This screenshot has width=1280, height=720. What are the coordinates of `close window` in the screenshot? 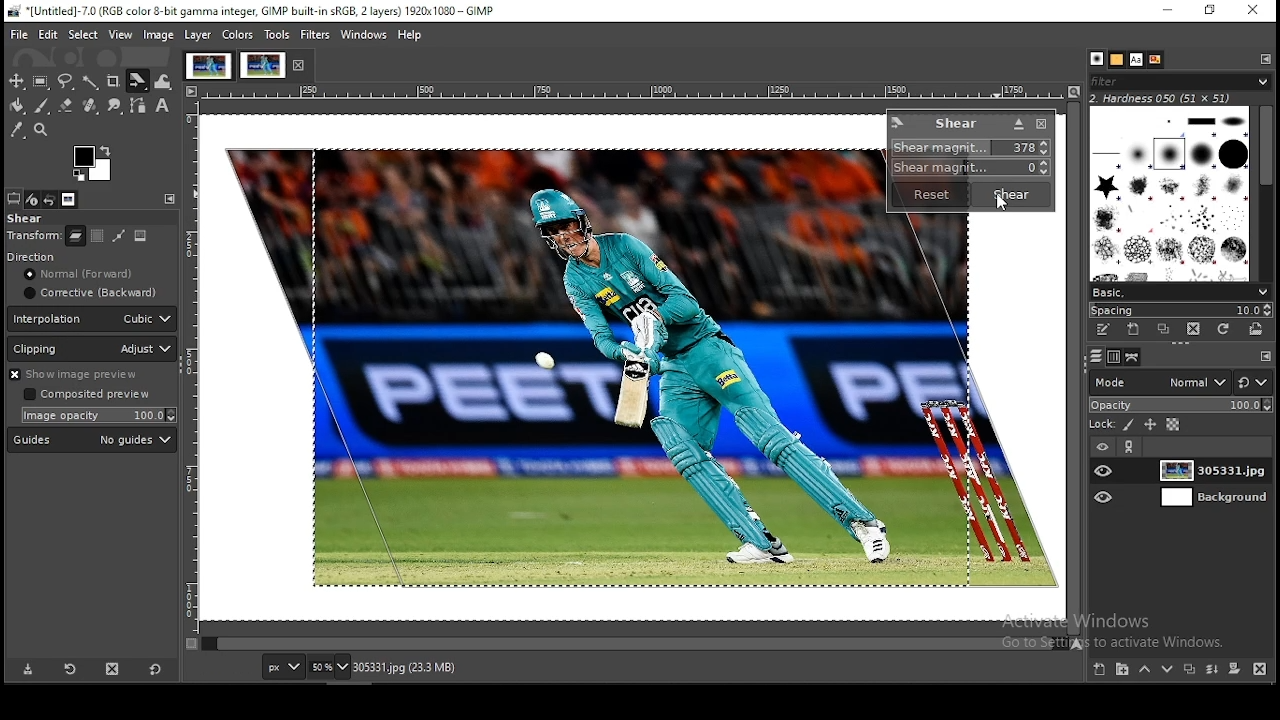 It's located at (1249, 11).